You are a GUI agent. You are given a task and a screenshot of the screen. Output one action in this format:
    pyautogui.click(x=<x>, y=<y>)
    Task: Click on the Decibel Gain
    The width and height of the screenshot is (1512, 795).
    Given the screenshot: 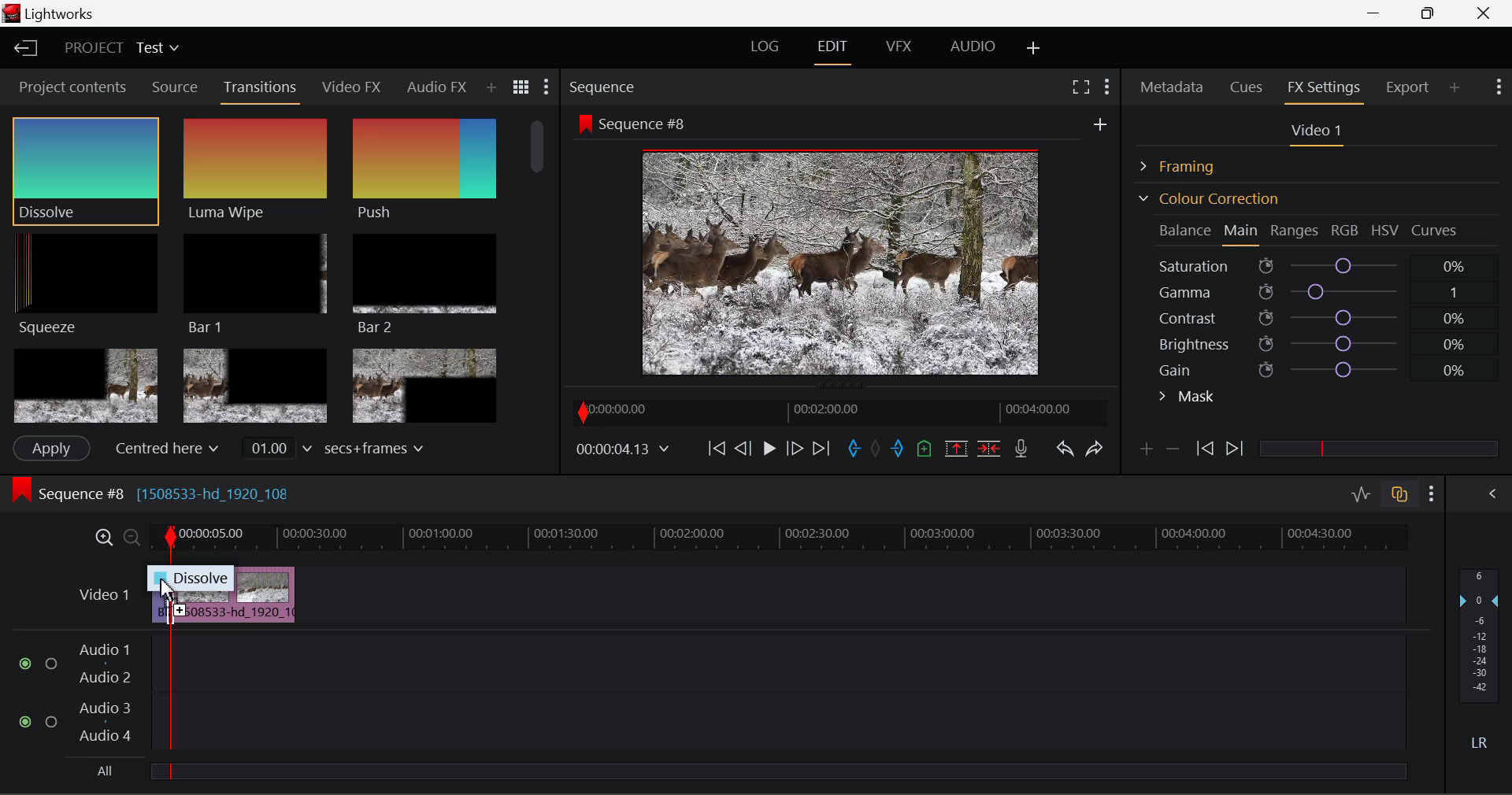 What is the action you would take?
    pyautogui.click(x=1478, y=663)
    